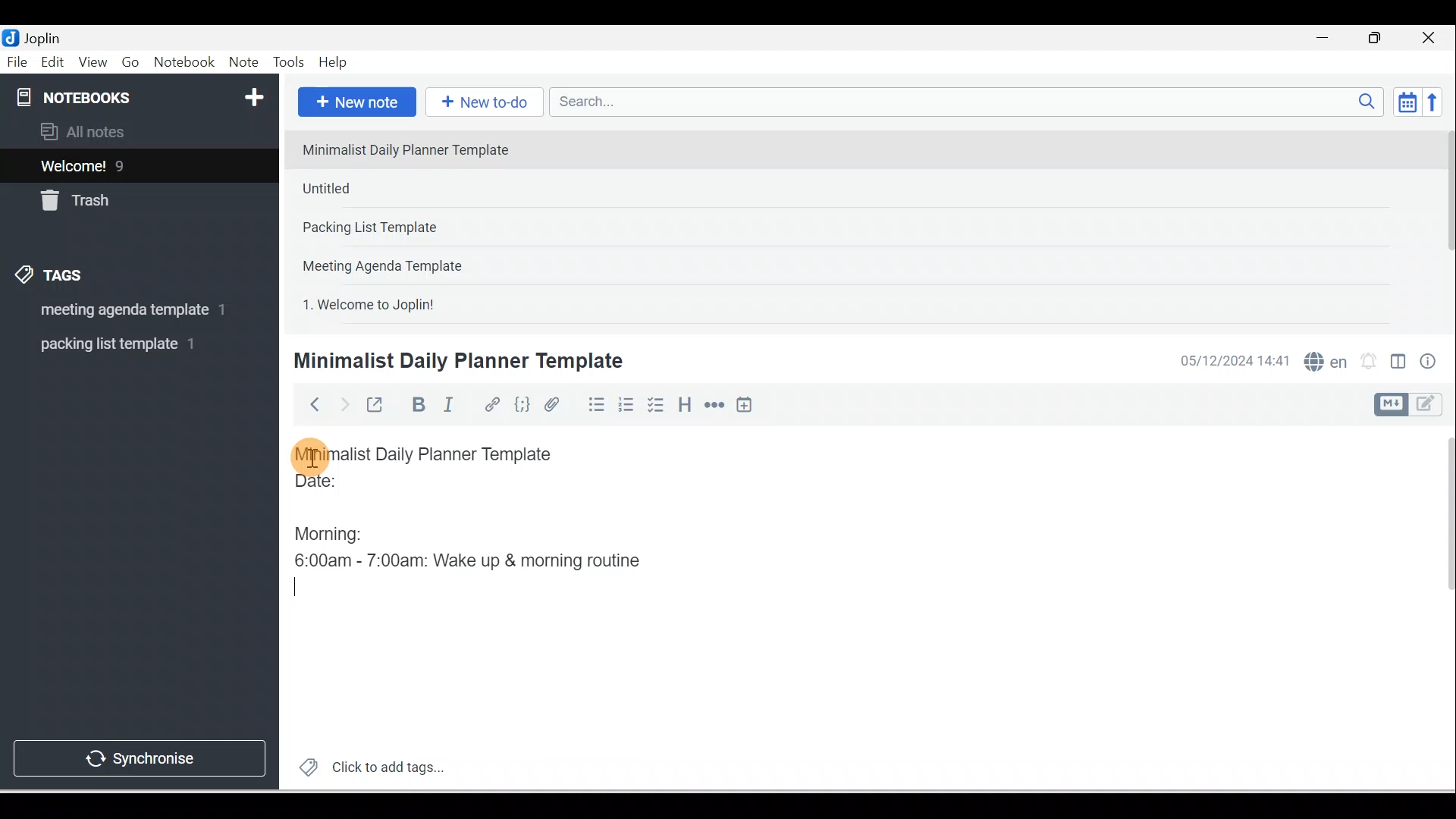 This screenshot has width=1456, height=819. I want to click on Forward, so click(343, 403).